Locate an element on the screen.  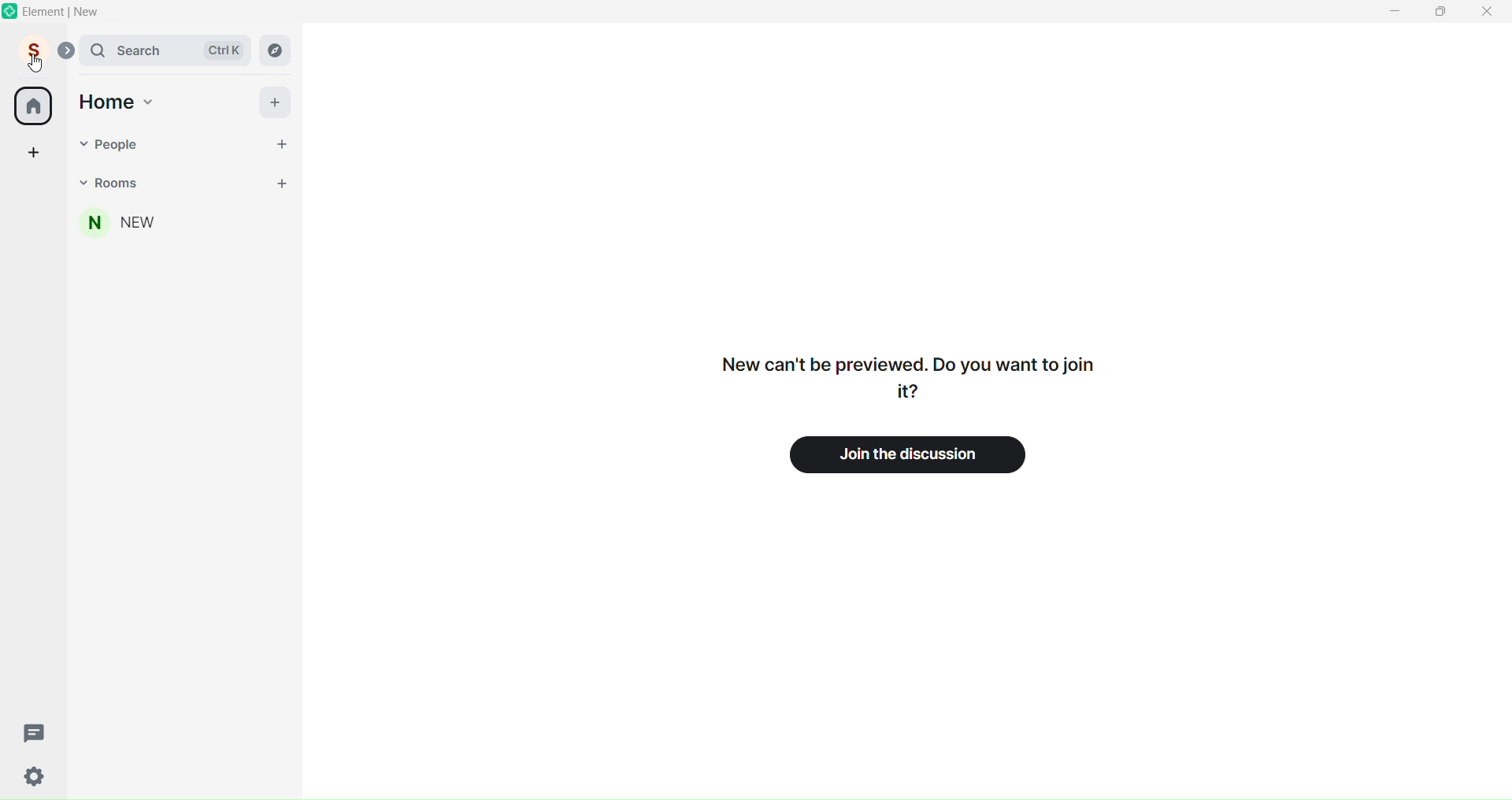
Add people is located at coordinates (281, 142).